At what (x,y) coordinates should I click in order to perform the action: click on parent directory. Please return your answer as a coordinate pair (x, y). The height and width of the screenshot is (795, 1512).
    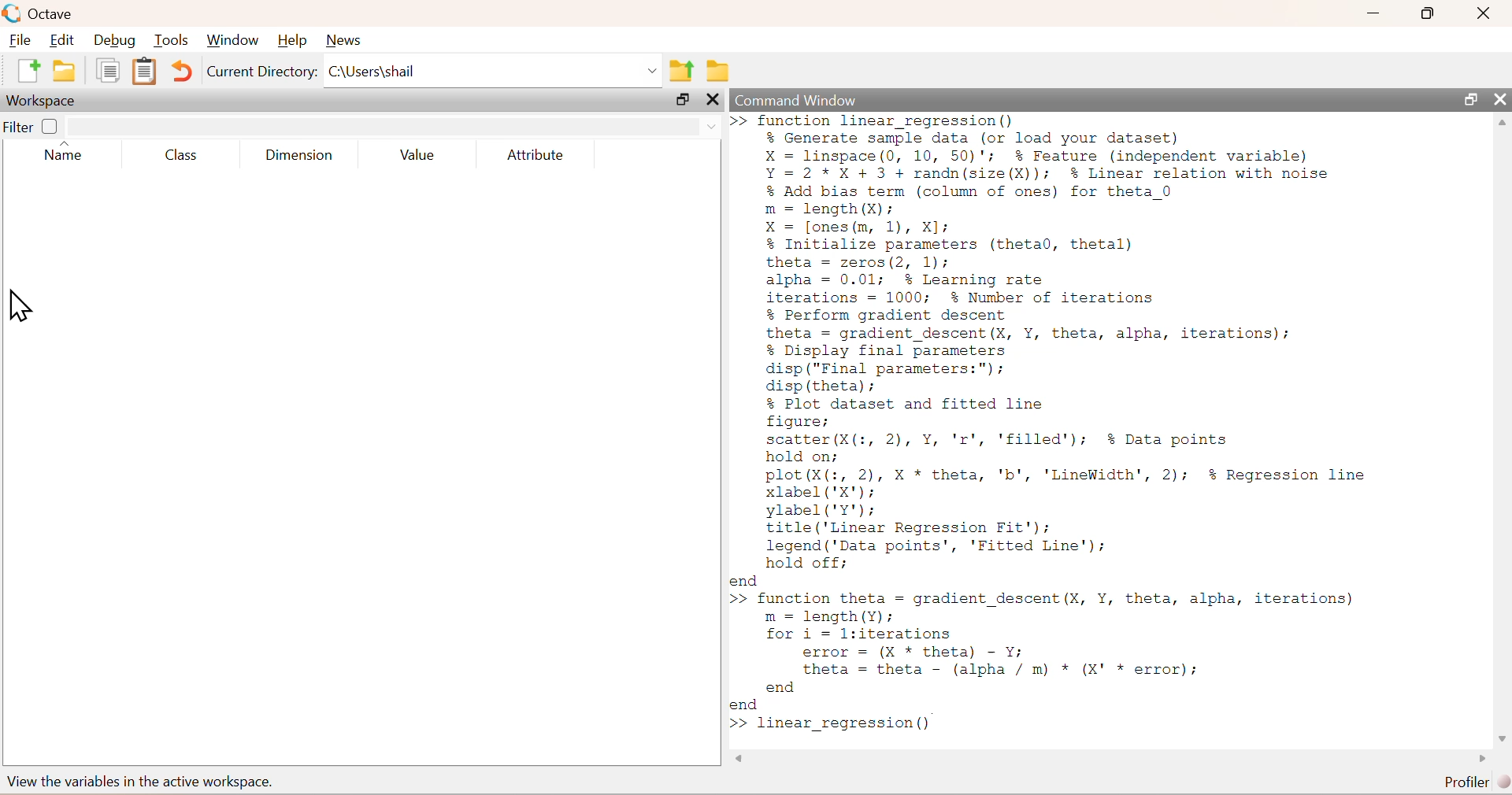
    Looking at the image, I should click on (682, 70).